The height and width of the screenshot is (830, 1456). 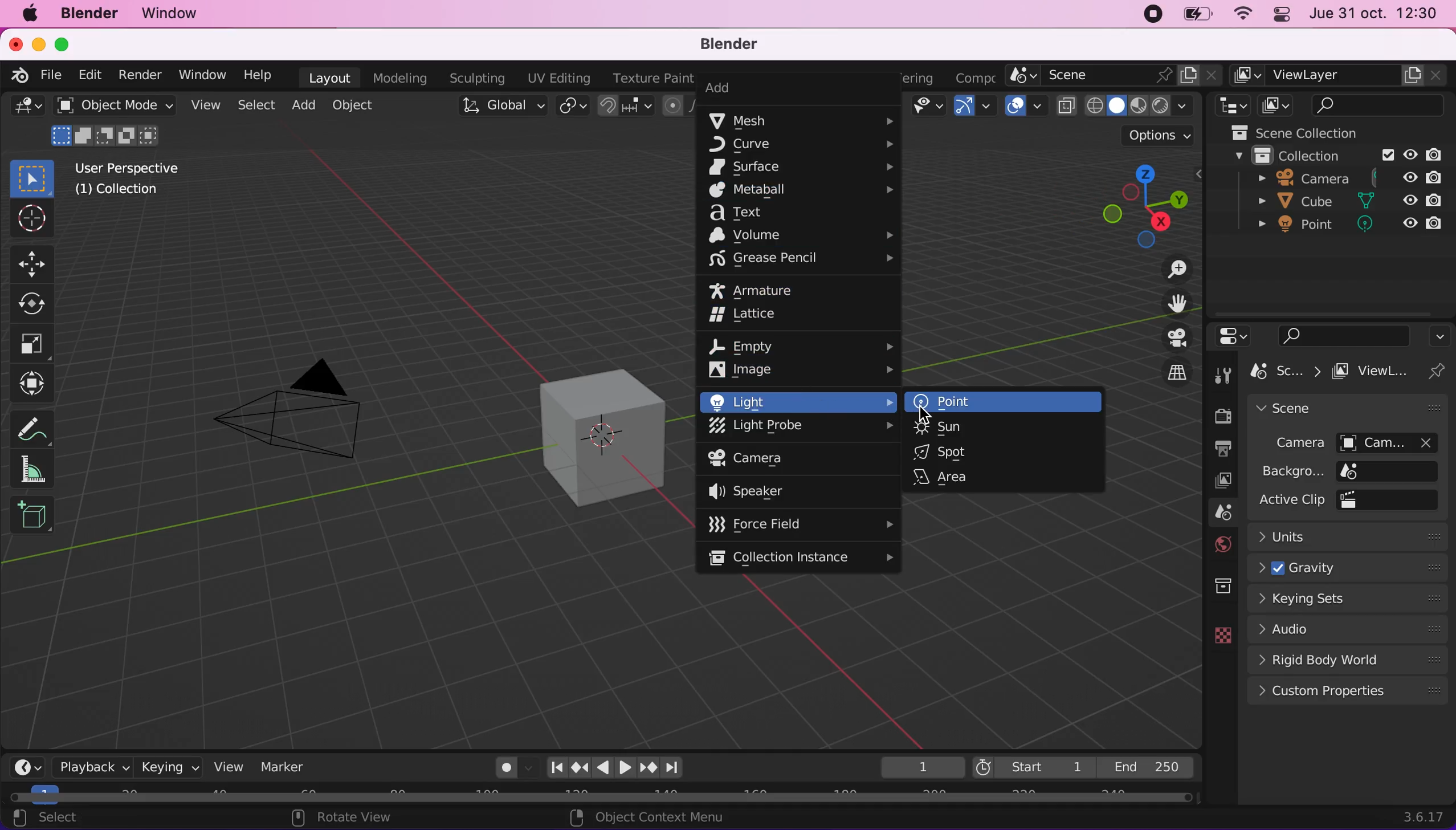 What do you see at coordinates (1292, 471) in the screenshot?
I see `background` at bounding box center [1292, 471].